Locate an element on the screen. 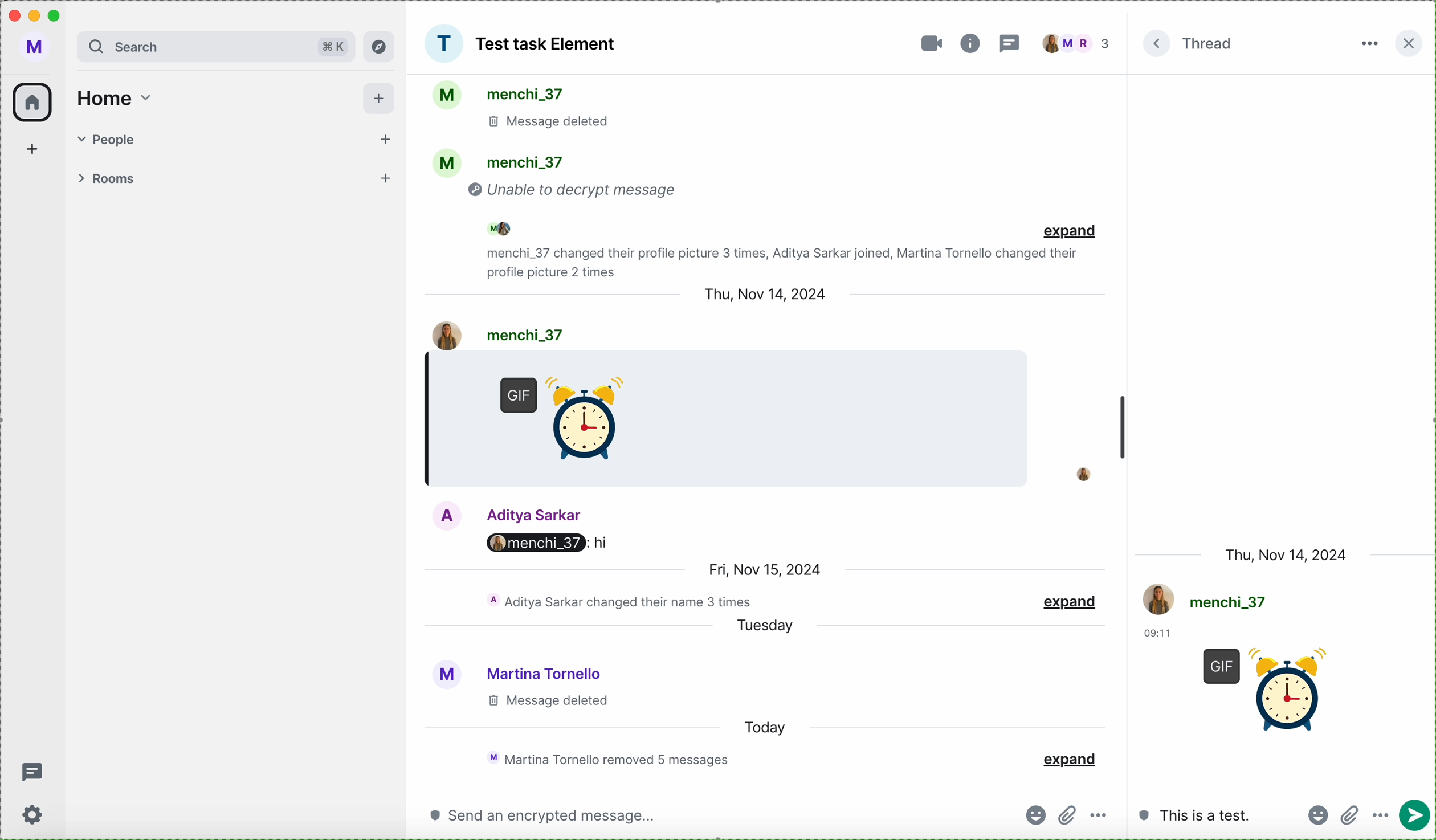 This screenshot has height=840, width=1436. video call is located at coordinates (927, 44).